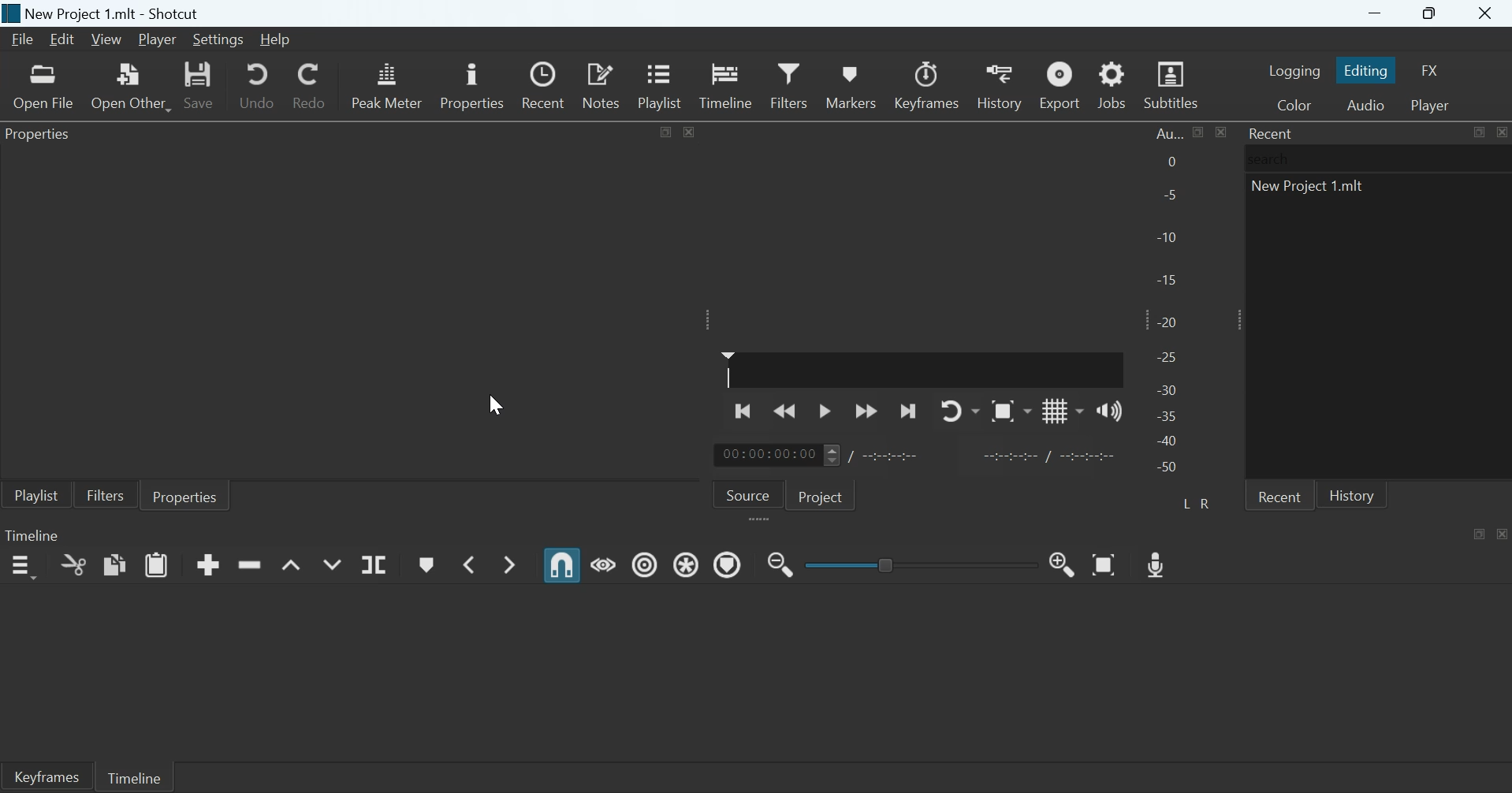 Image resolution: width=1512 pixels, height=793 pixels. What do you see at coordinates (1279, 495) in the screenshot?
I see `Recent` at bounding box center [1279, 495].